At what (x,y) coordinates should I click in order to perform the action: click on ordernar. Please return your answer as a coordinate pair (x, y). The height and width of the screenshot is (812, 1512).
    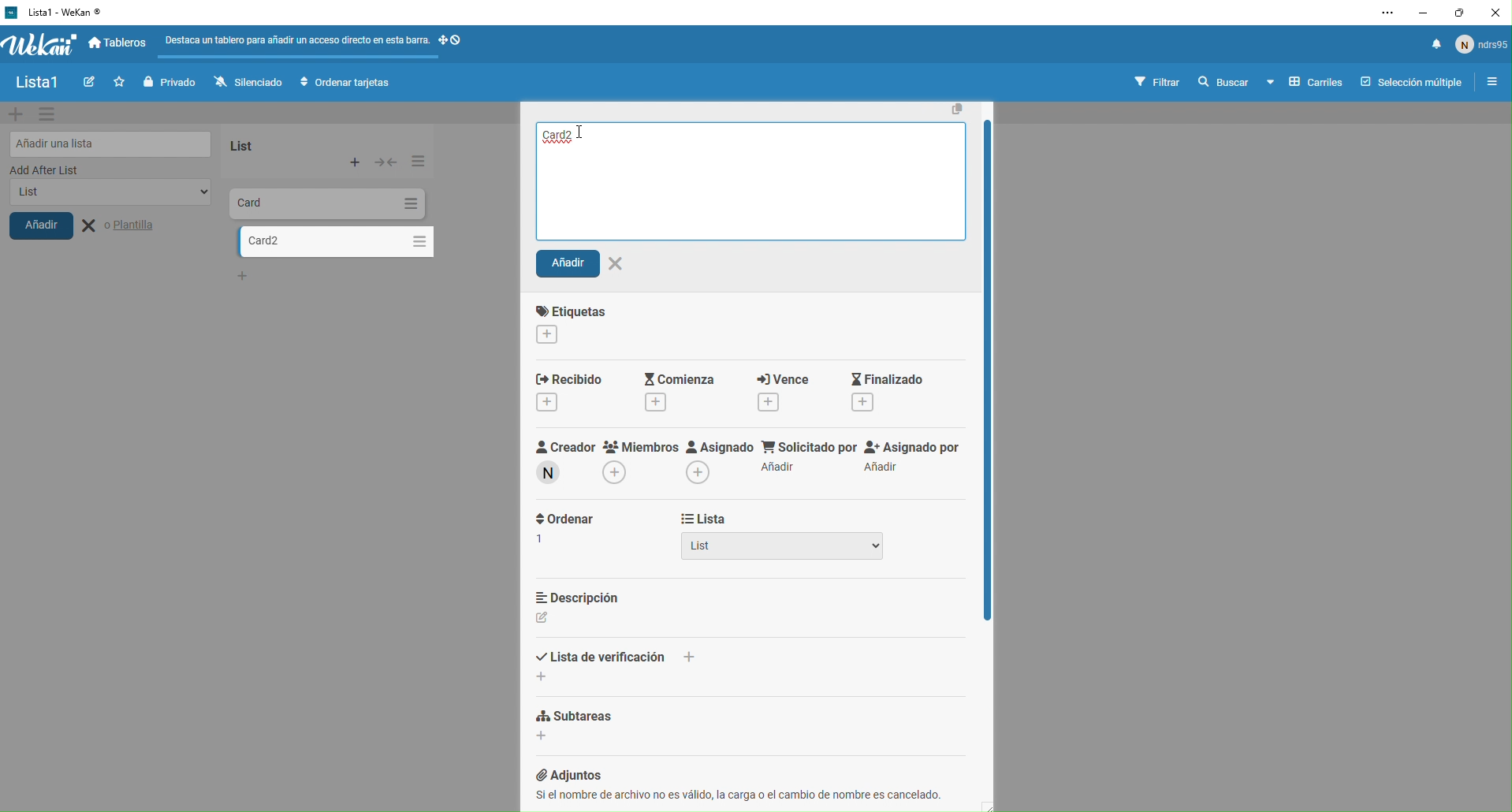
    Looking at the image, I should click on (565, 528).